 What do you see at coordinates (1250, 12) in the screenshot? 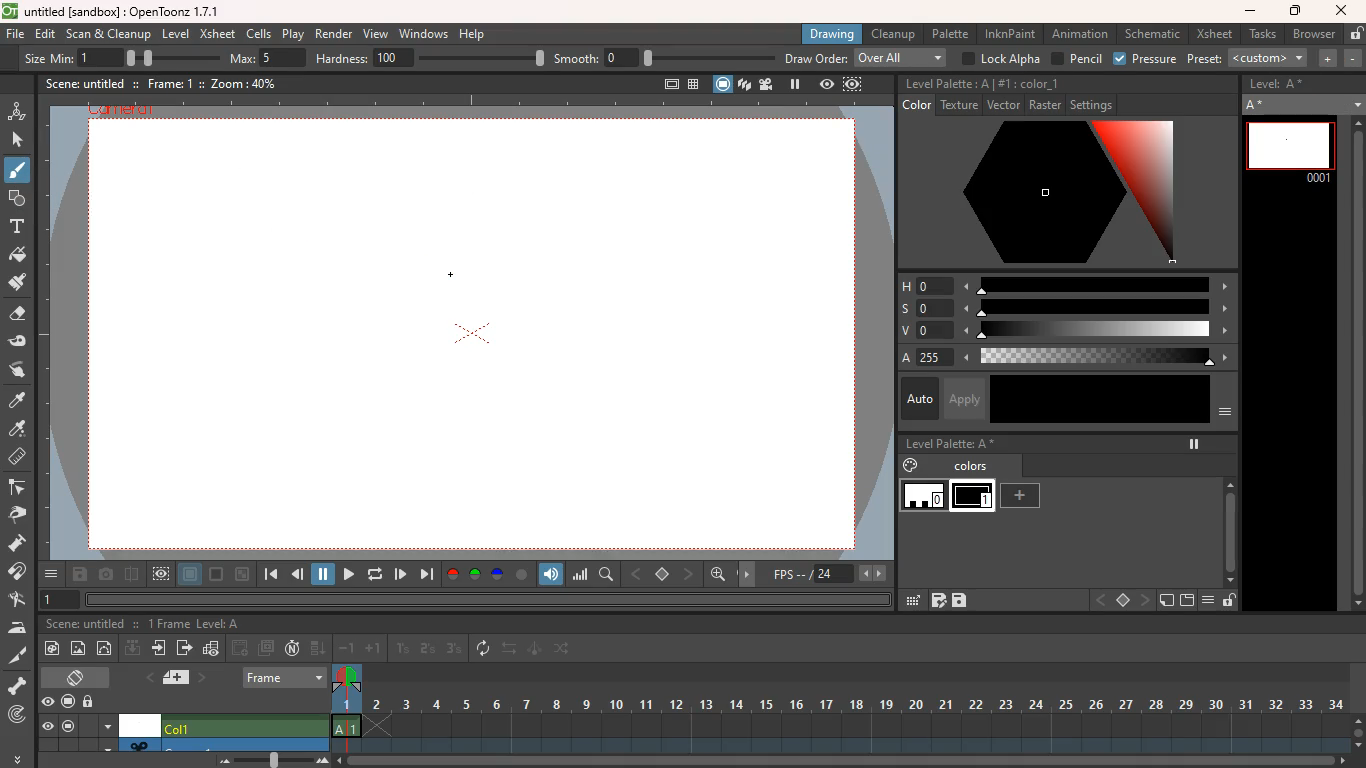
I see `minimize` at bounding box center [1250, 12].